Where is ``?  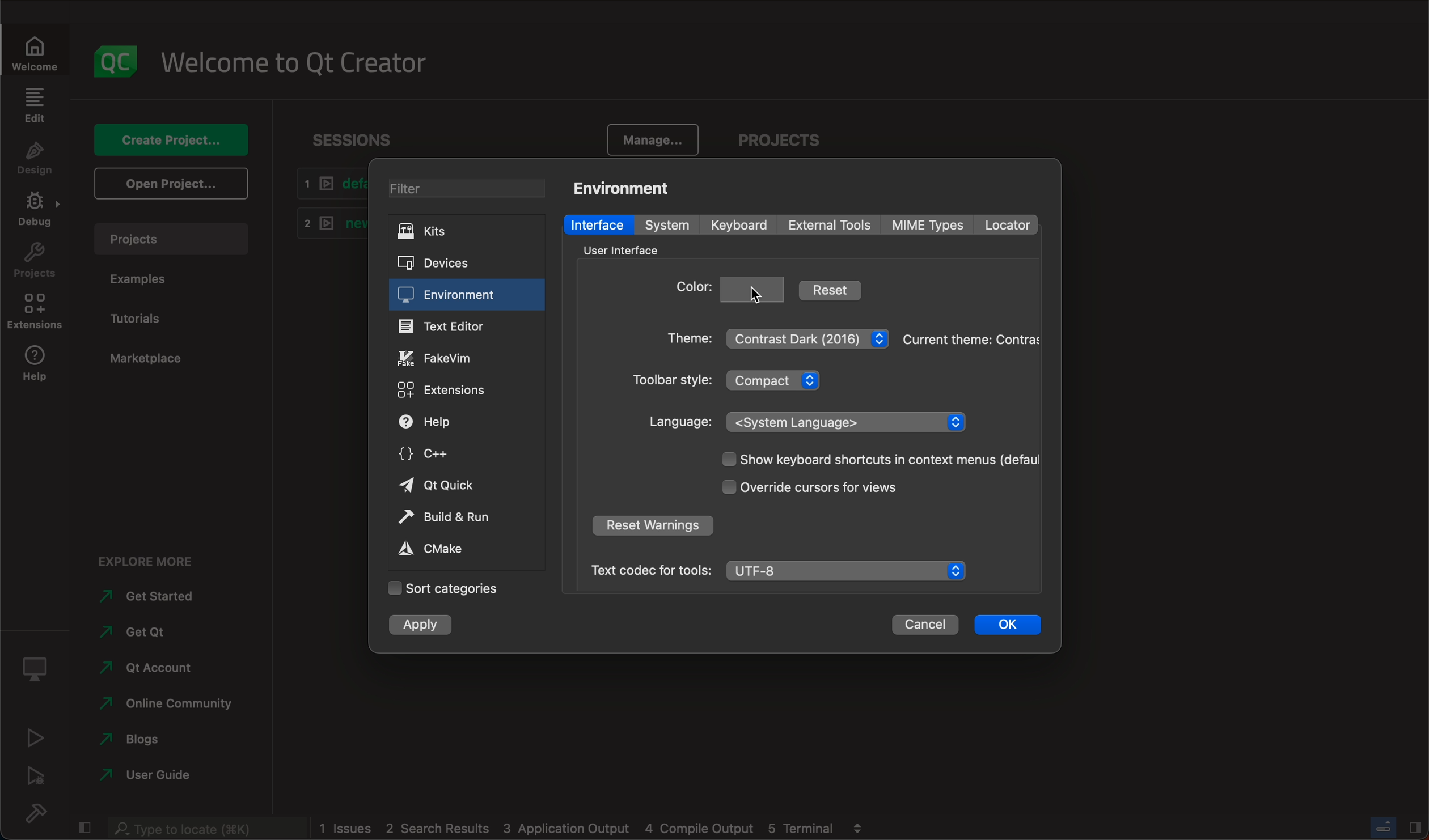
 is located at coordinates (618, 250).